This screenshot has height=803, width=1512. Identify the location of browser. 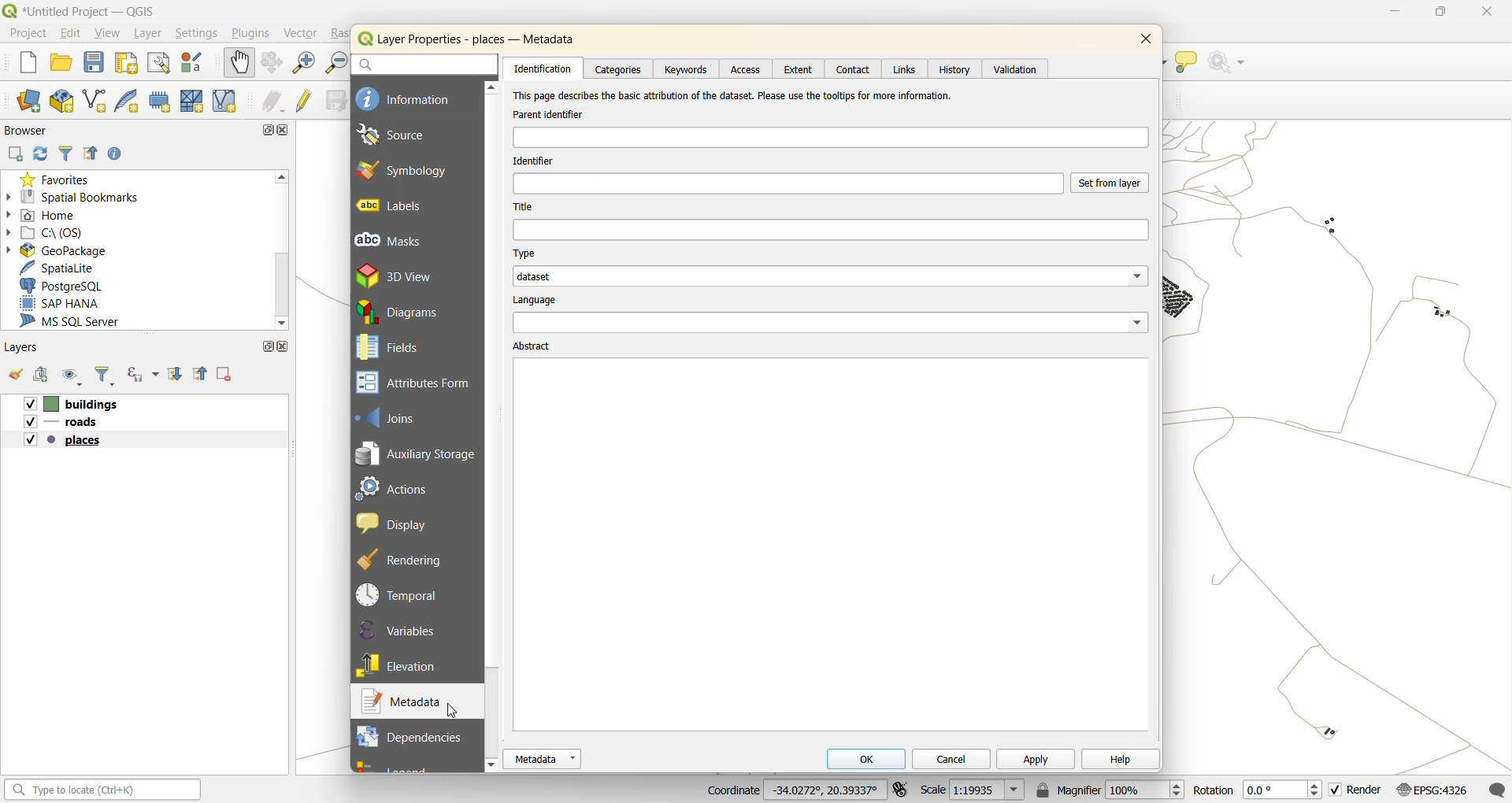
(29, 130).